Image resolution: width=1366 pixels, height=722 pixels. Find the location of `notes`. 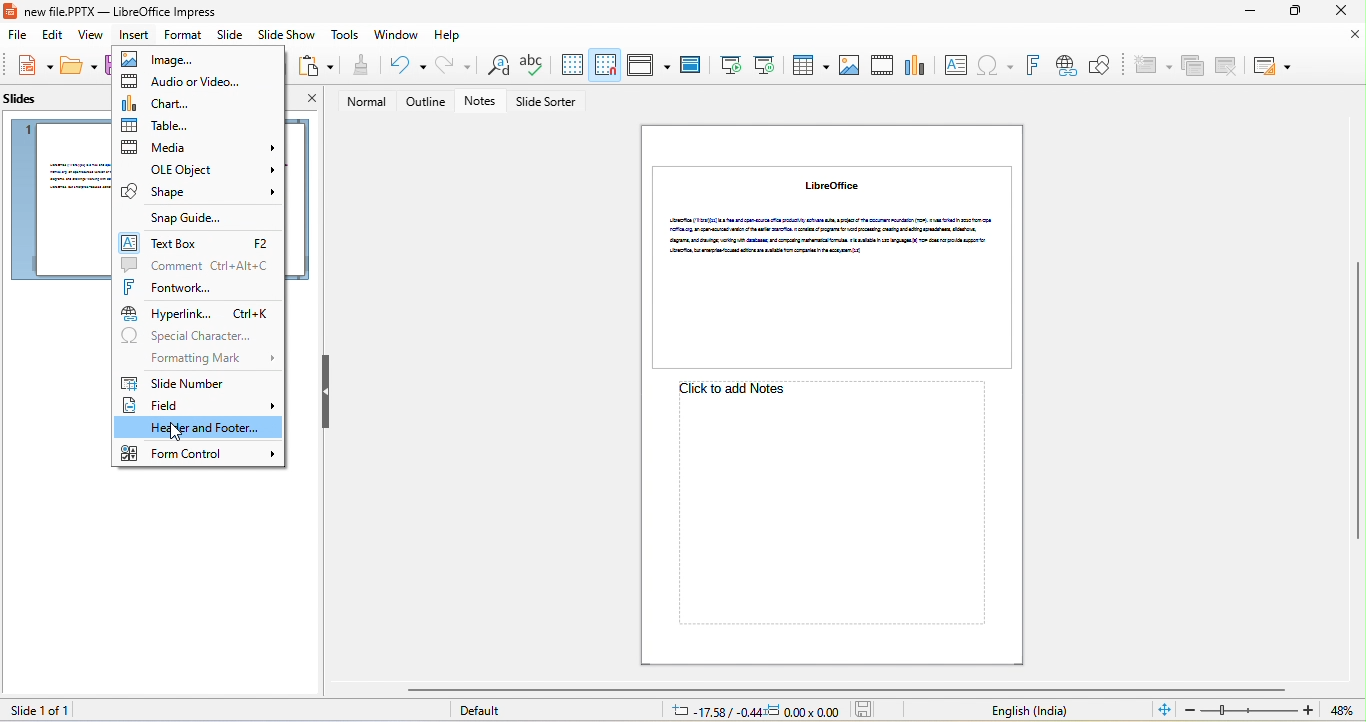

notes is located at coordinates (484, 102).